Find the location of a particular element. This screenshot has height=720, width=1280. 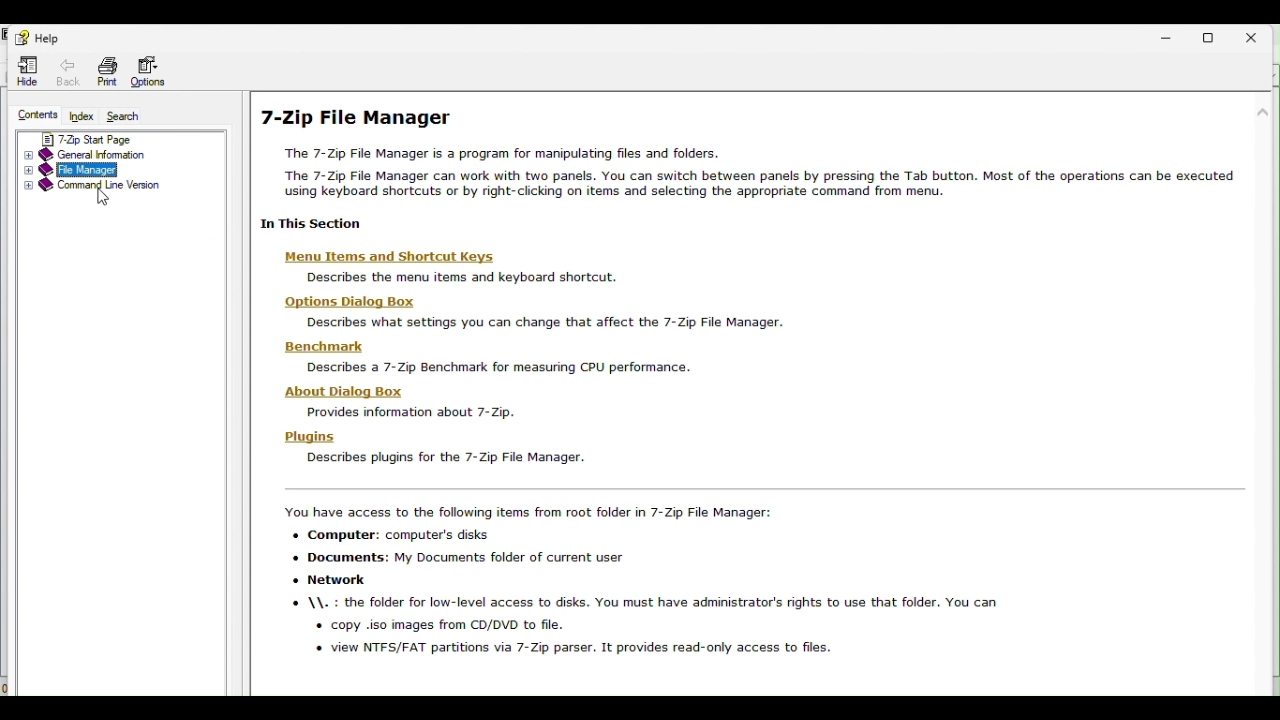

description of menu items and shortcut is located at coordinates (461, 277).